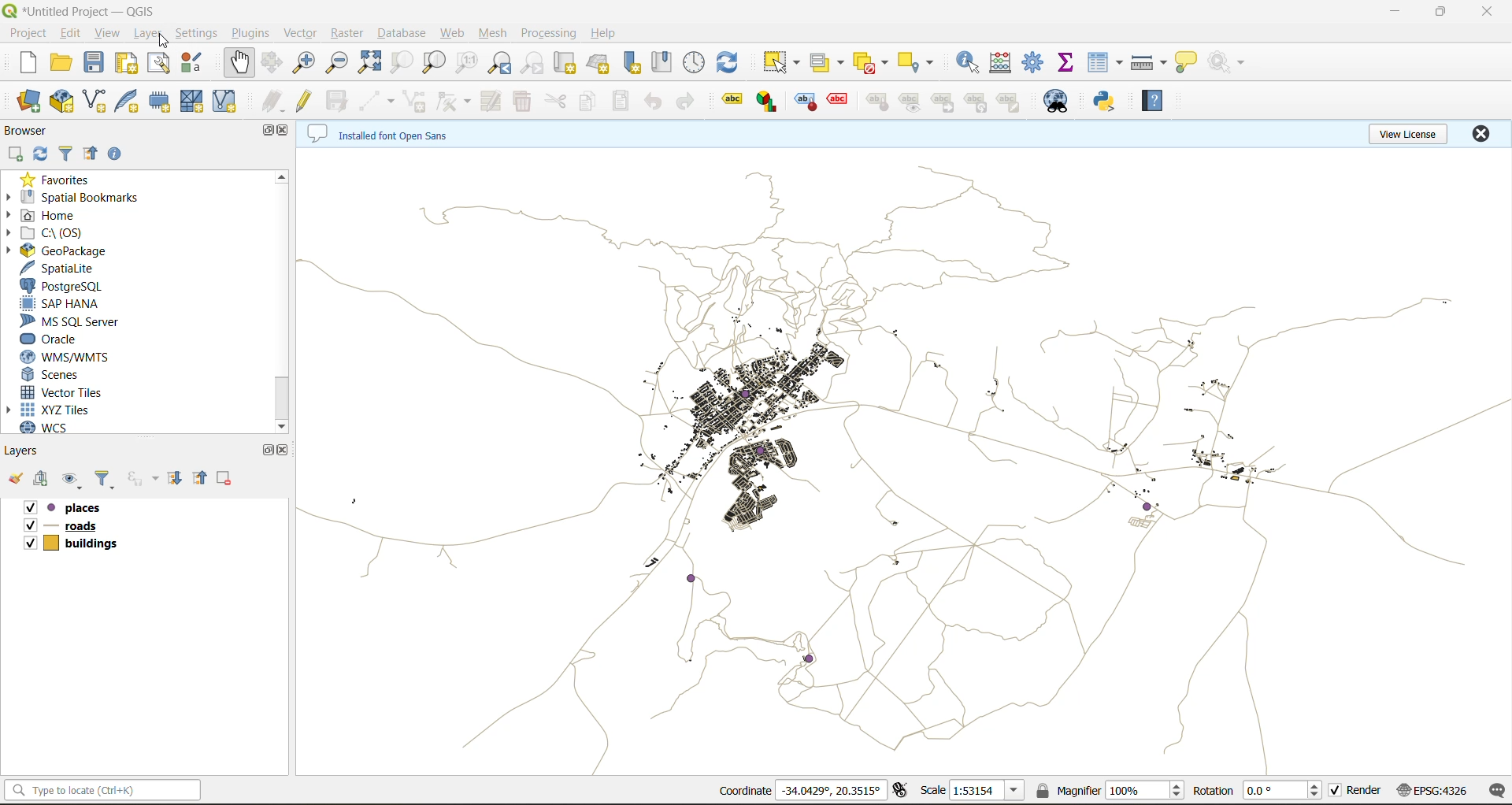 The image size is (1512, 805). I want to click on zoom selection, so click(402, 65).